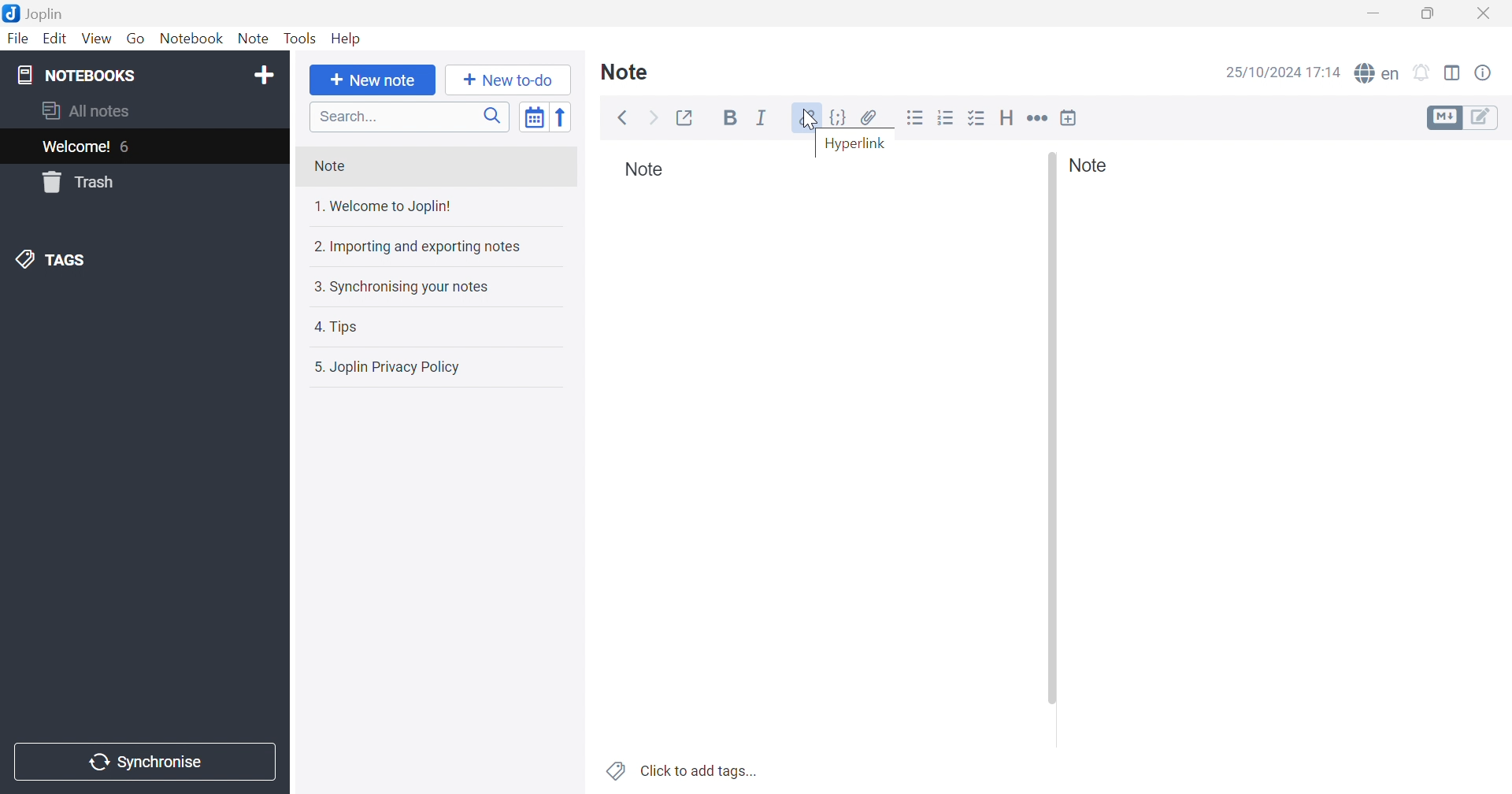  I want to click on Bold, so click(730, 120).